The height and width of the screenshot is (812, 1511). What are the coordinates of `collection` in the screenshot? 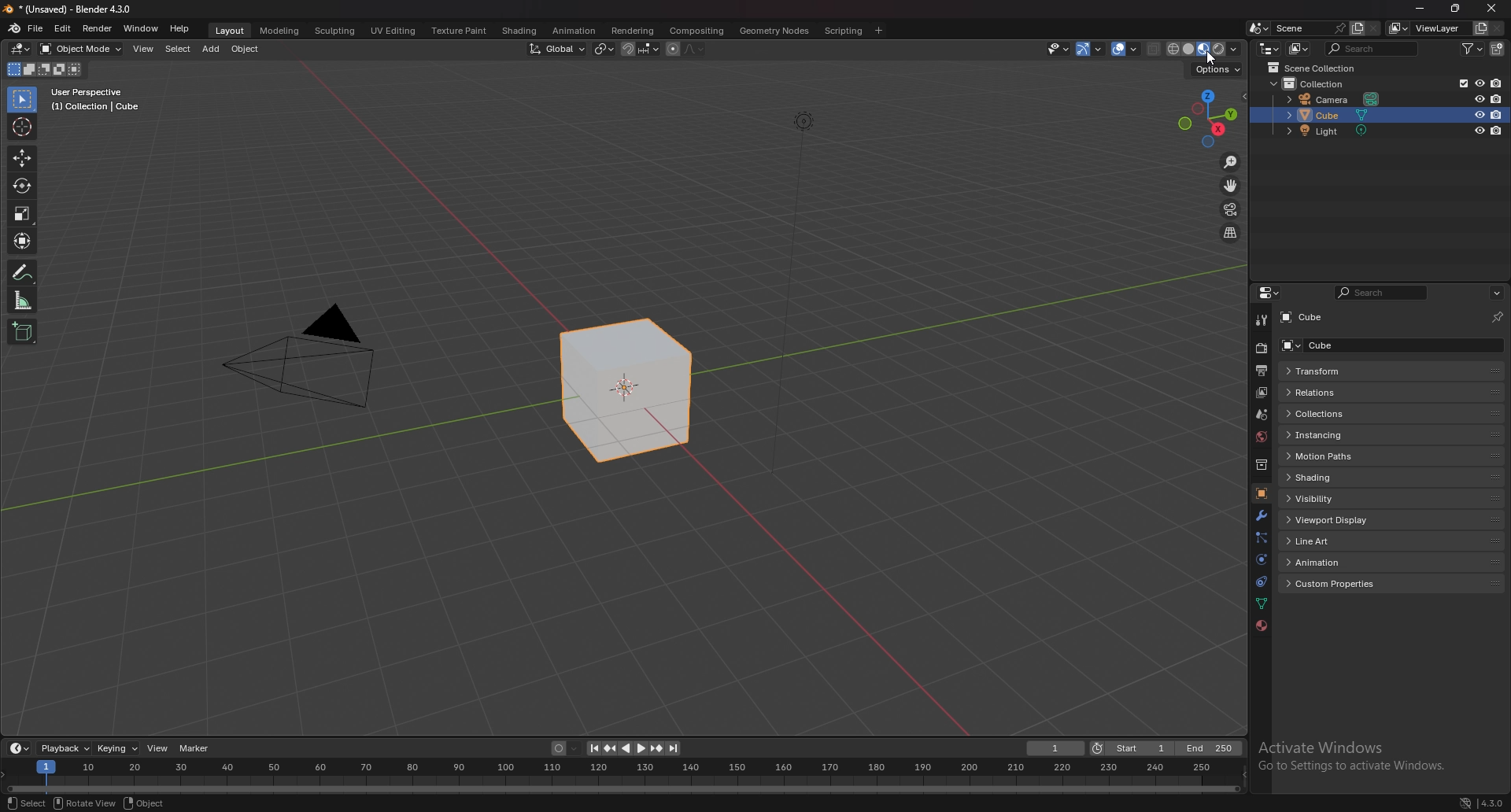 It's located at (1312, 83).